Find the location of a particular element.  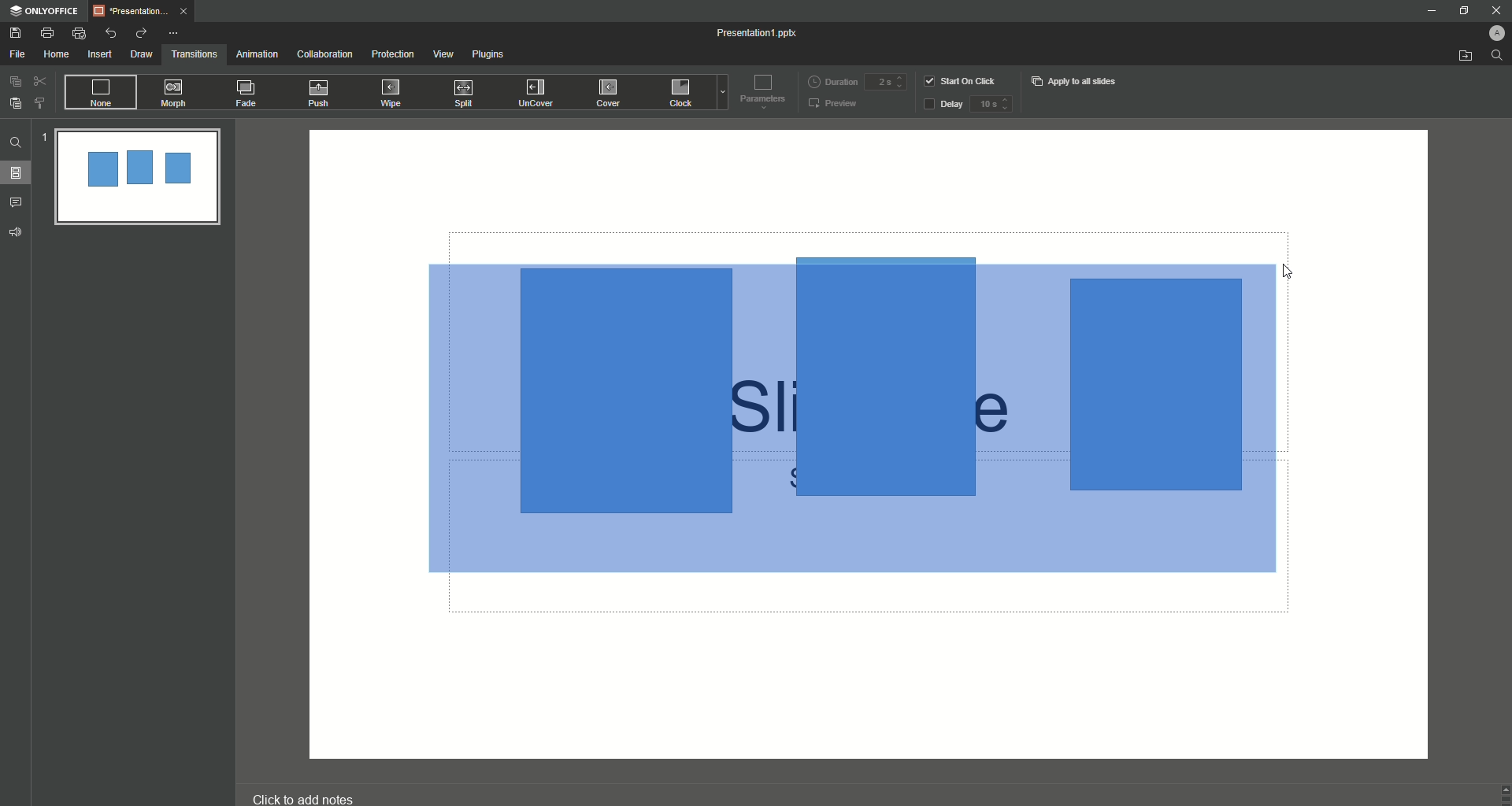

Minimize is located at coordinates (1430, 13).